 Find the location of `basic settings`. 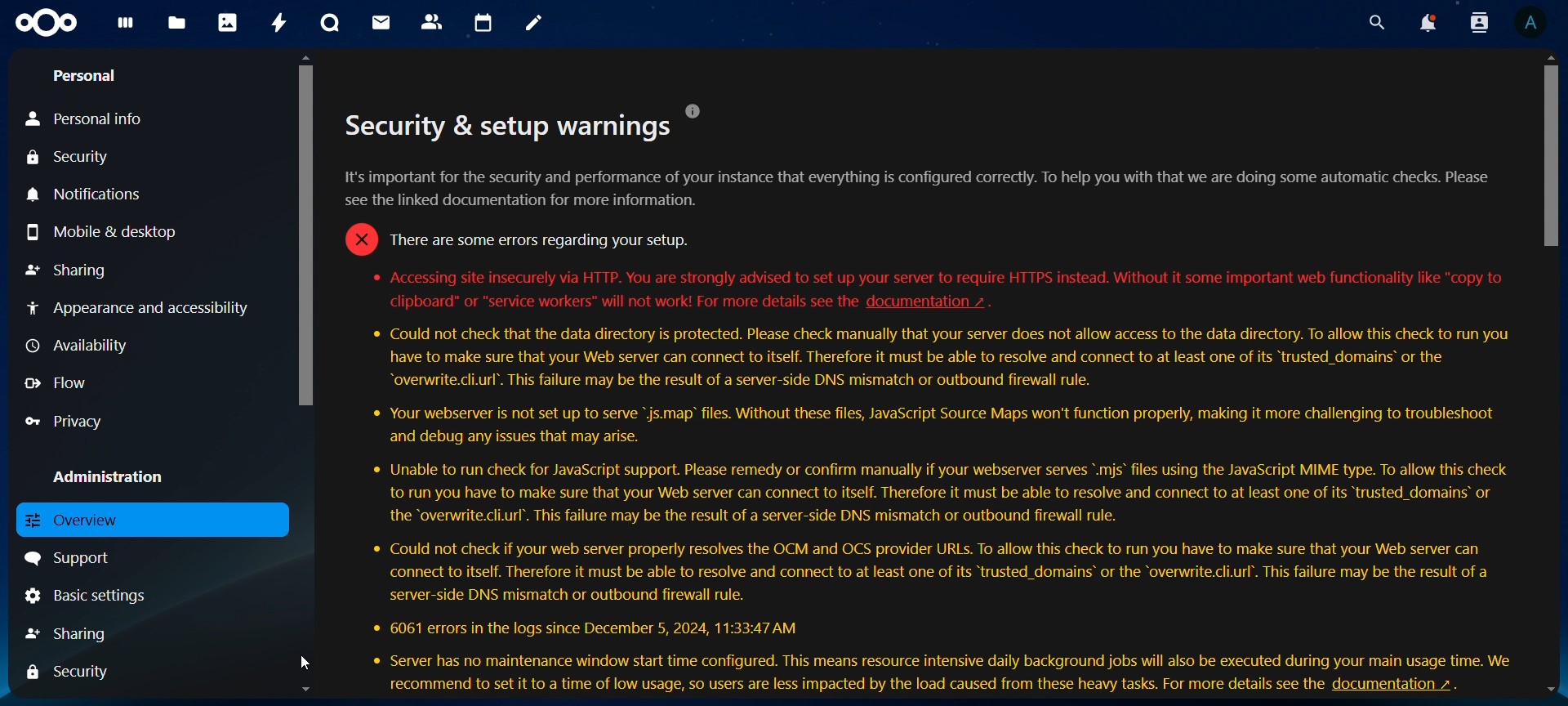

basic settings is located at coordinates (87, 593).